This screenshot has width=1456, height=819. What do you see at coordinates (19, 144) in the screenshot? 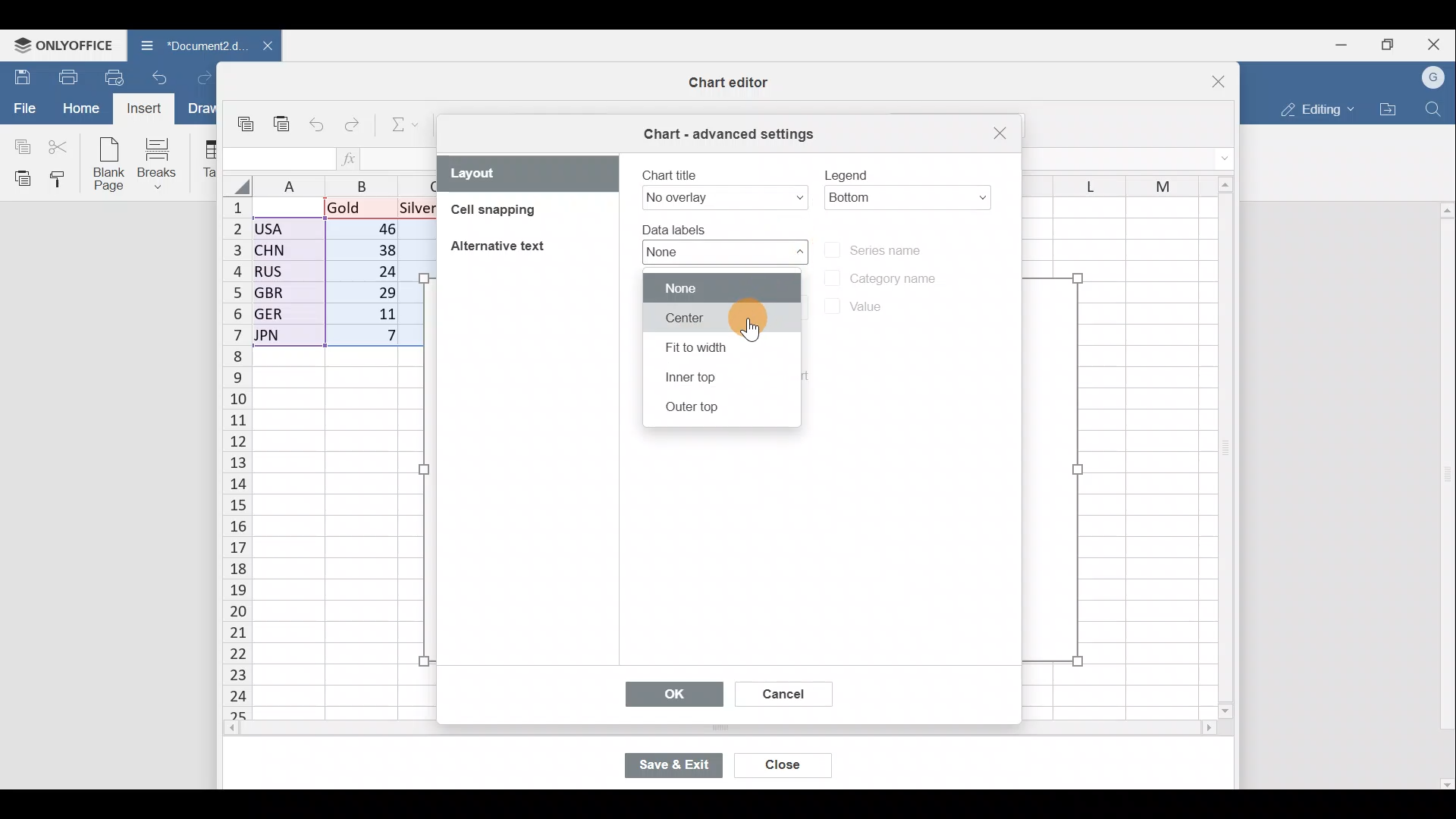
I see `Copy` at bounding box center [19, 144].